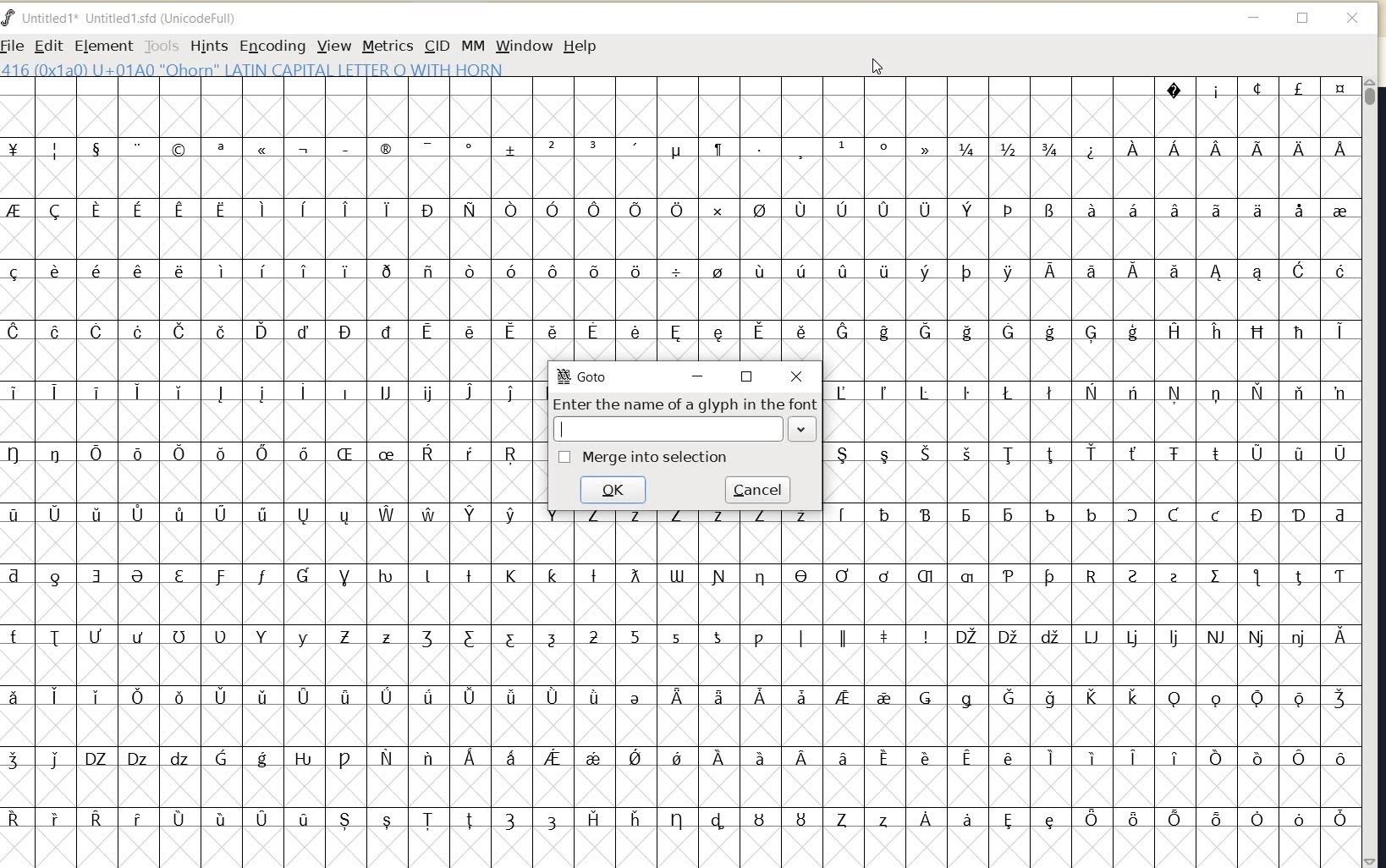 Image resolution: width=1386 pixels, height=868 pixels. Describe the element at coordinates (254, 70) in the screenshot. I see `GLYPHY INFO` at that location.